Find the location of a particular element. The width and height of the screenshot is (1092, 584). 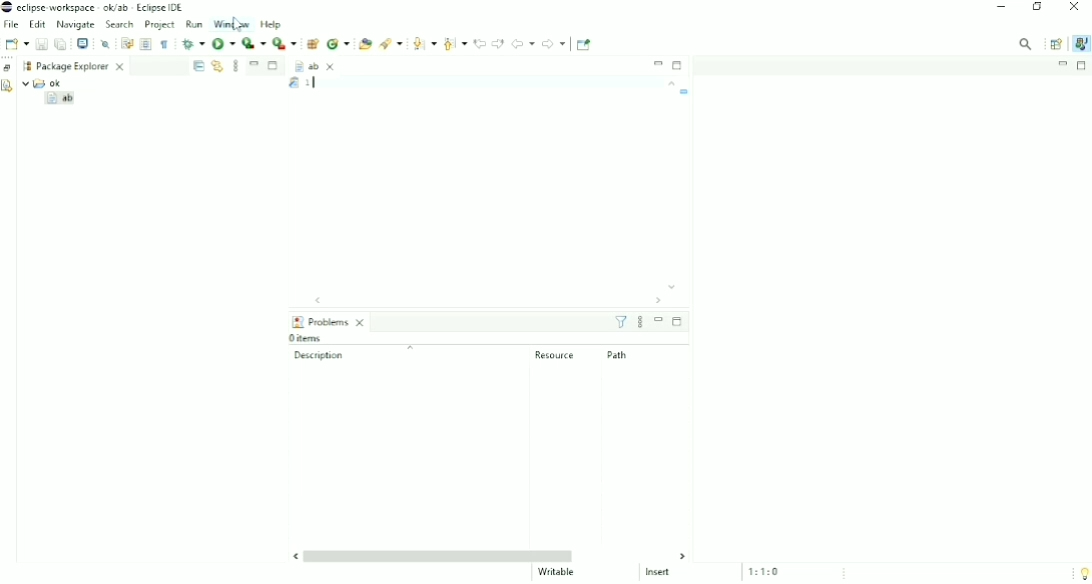

Declaration is located at coordinates (8, 88).